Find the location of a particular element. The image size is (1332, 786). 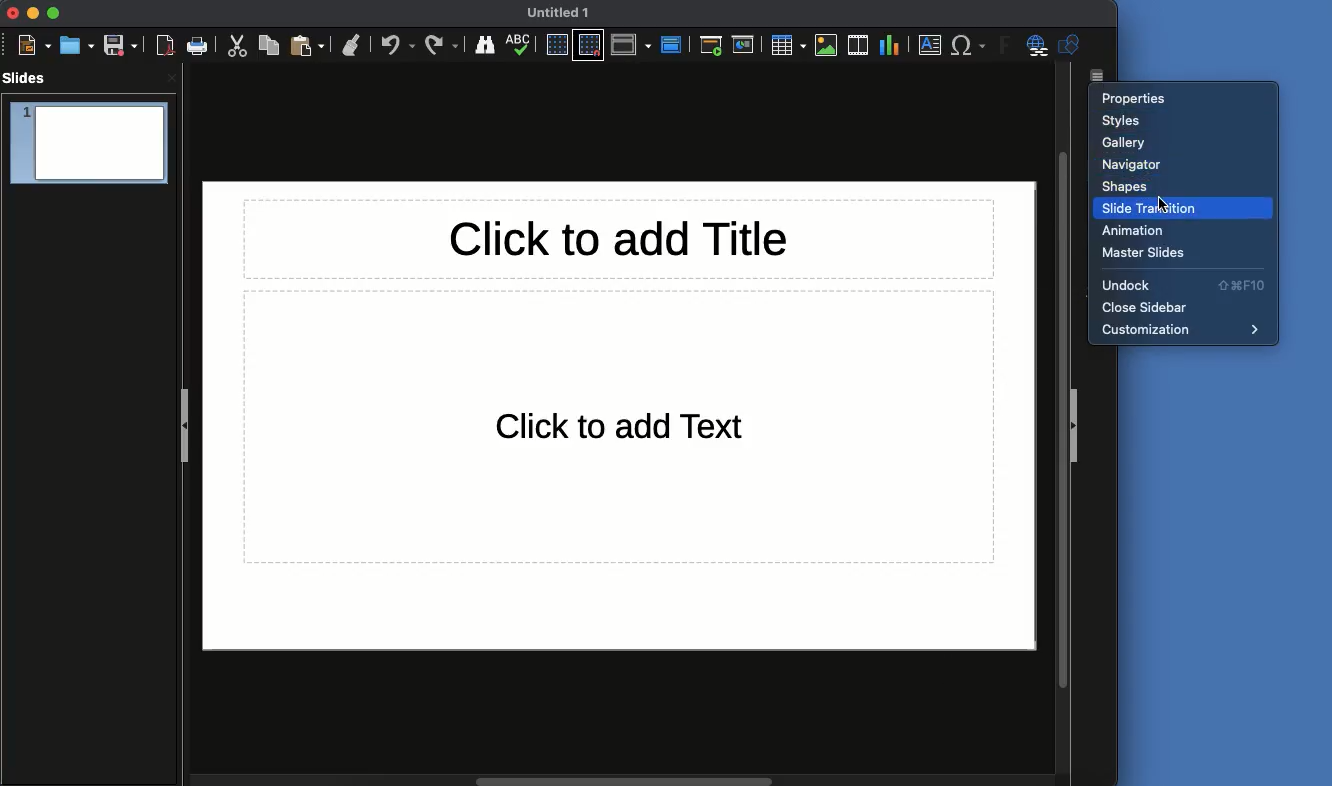

Display grid is located at coordinates (558, 44).